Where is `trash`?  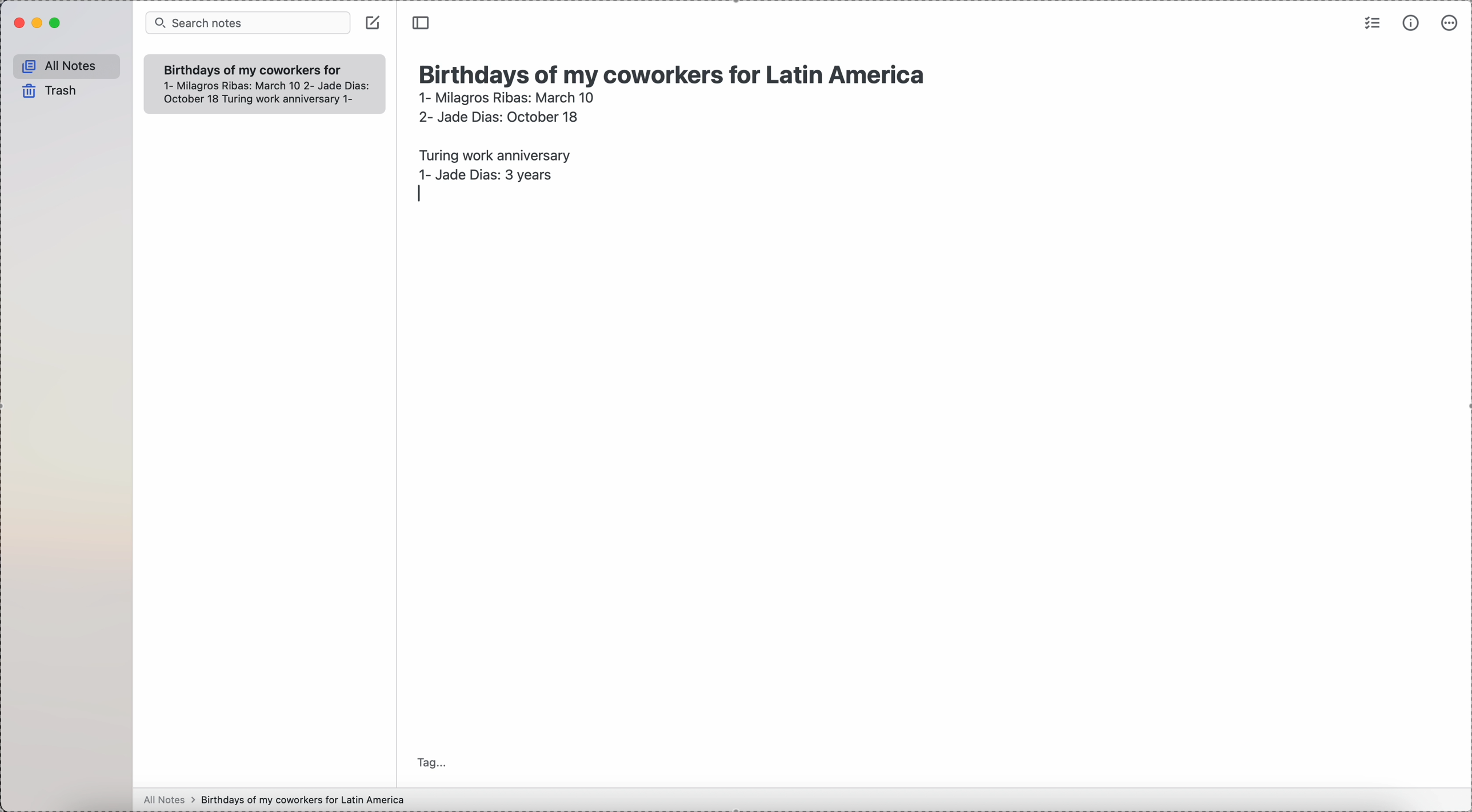 trash is located at coordinates (51, 91).